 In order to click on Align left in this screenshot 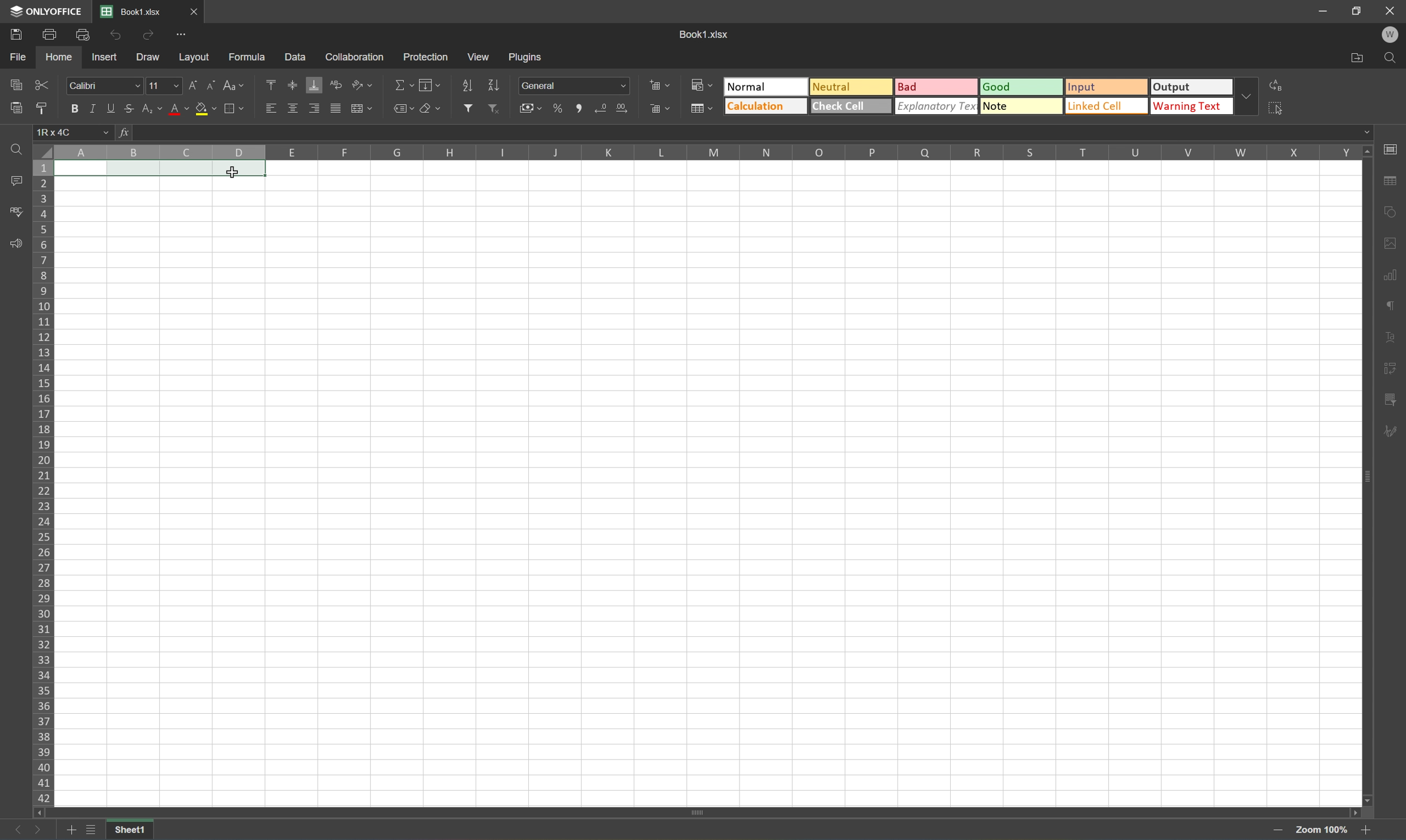, I will do `click(270, 109)`.